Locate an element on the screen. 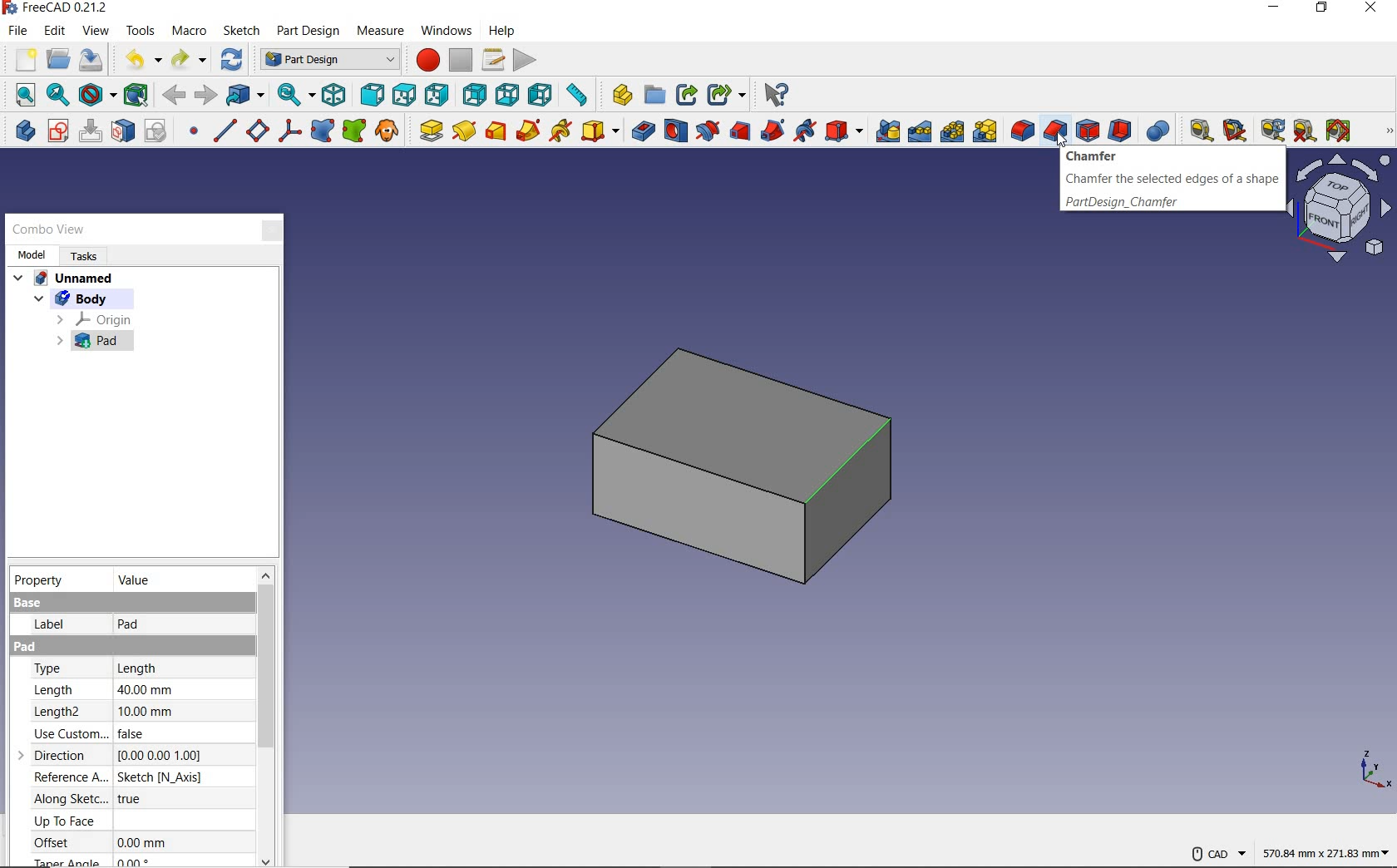  create group is located at coordinates (653, 96).